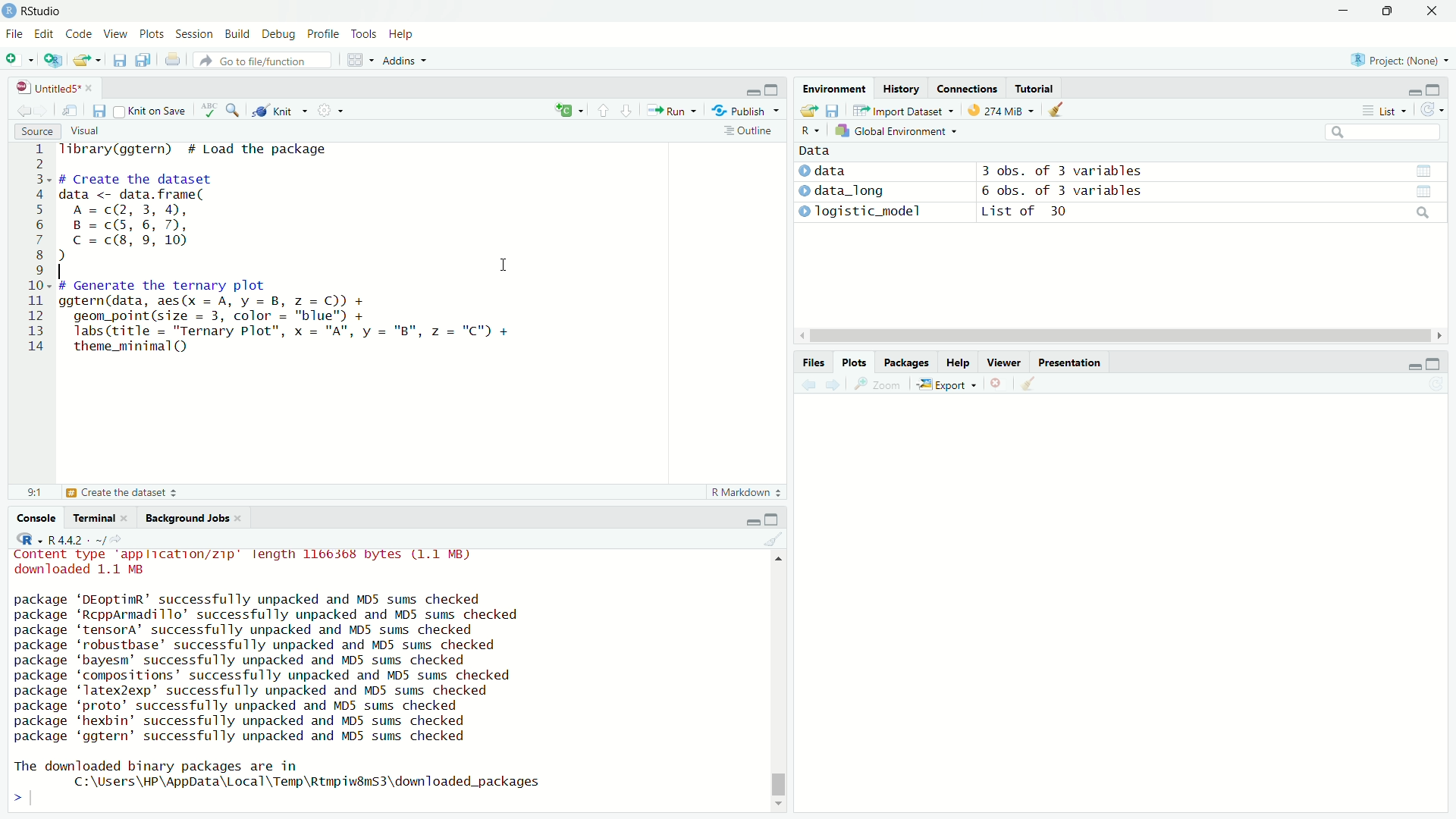 This screenshot has width=1456, height=819. What do you see at coordinates (749, 519) in the screenshot?
I see `minimise` at bounding box center [749, 519].